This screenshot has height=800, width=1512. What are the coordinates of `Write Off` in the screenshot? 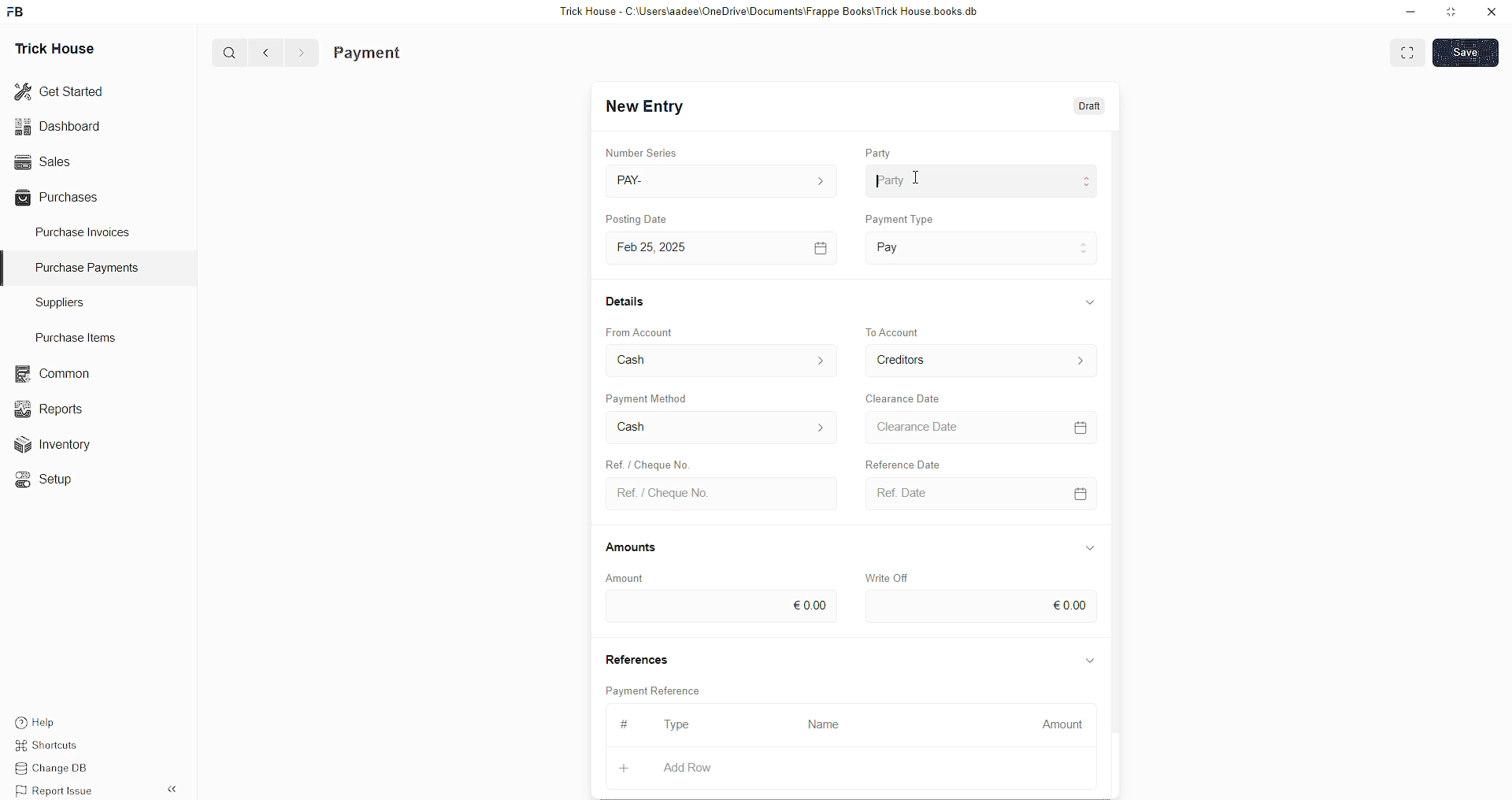 It's located at (890, 576).